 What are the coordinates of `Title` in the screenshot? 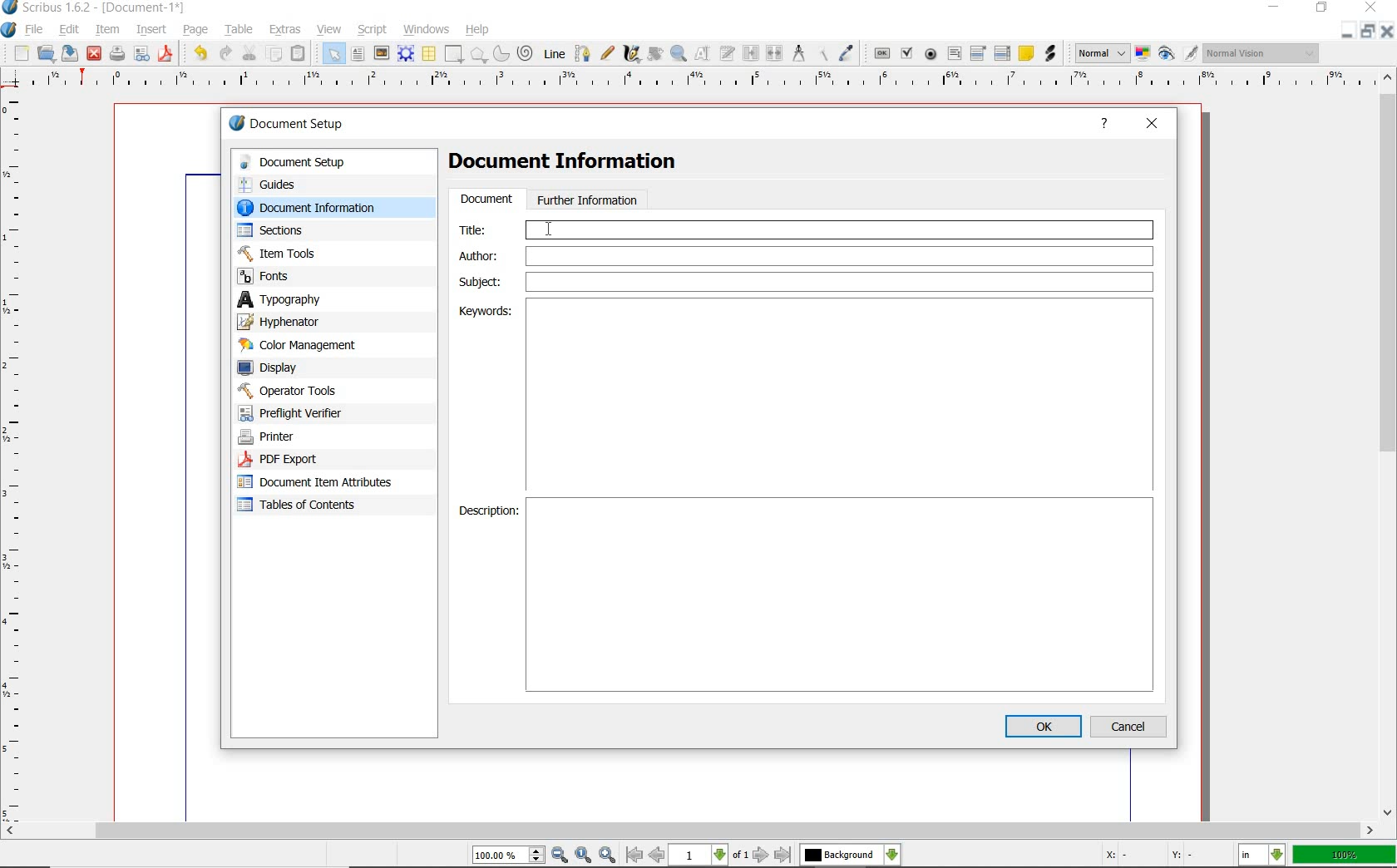 It's located at (805, 229).